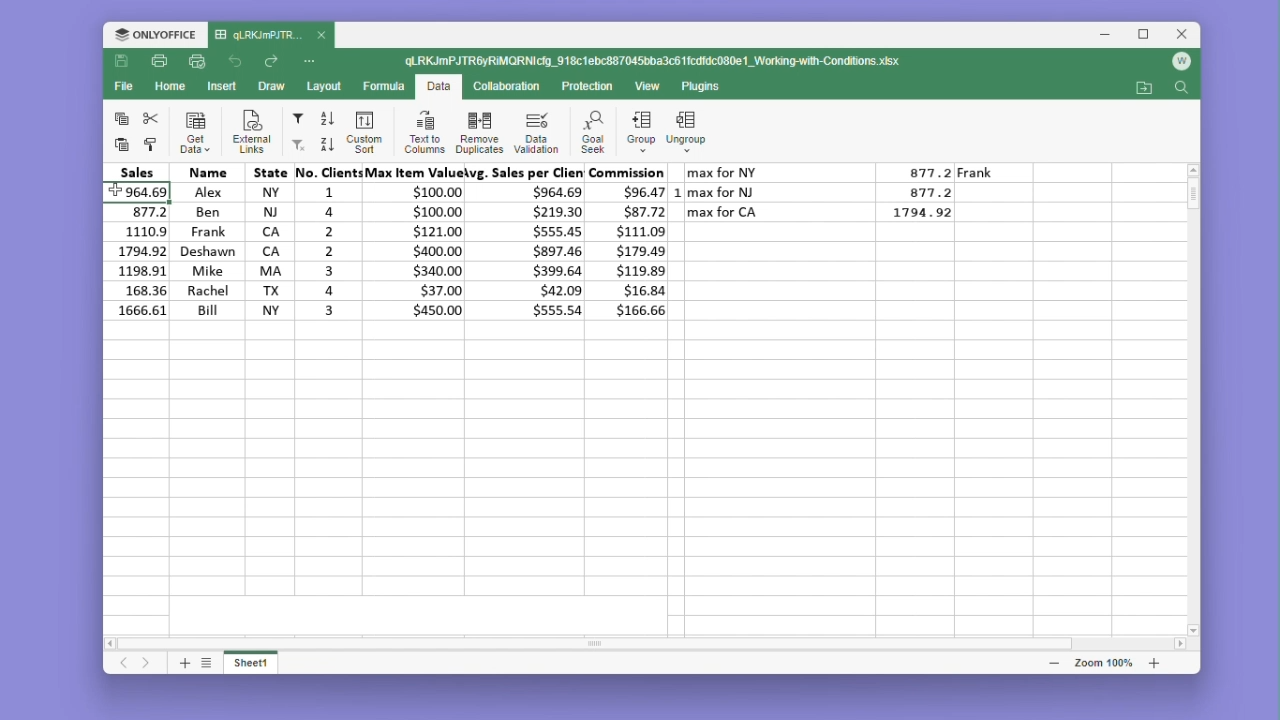 The width and height of the screenshot is (1280, 720). I want to click on sort ascending, so click(328, 119).